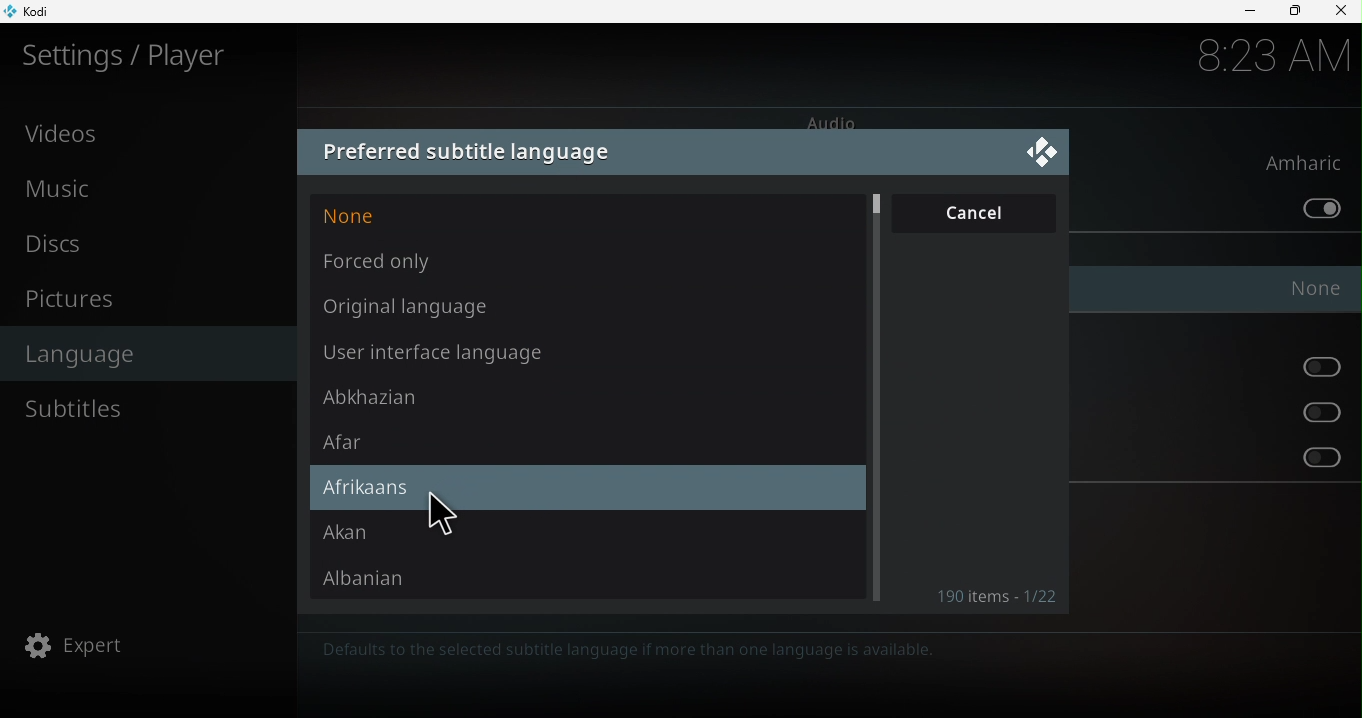 Image resolution: width=1362 pixels, height=718 pixels. What do you see at coordinates (1340, 11) in the screenshot?
I see `Close` at bounding box center [1340, 11].